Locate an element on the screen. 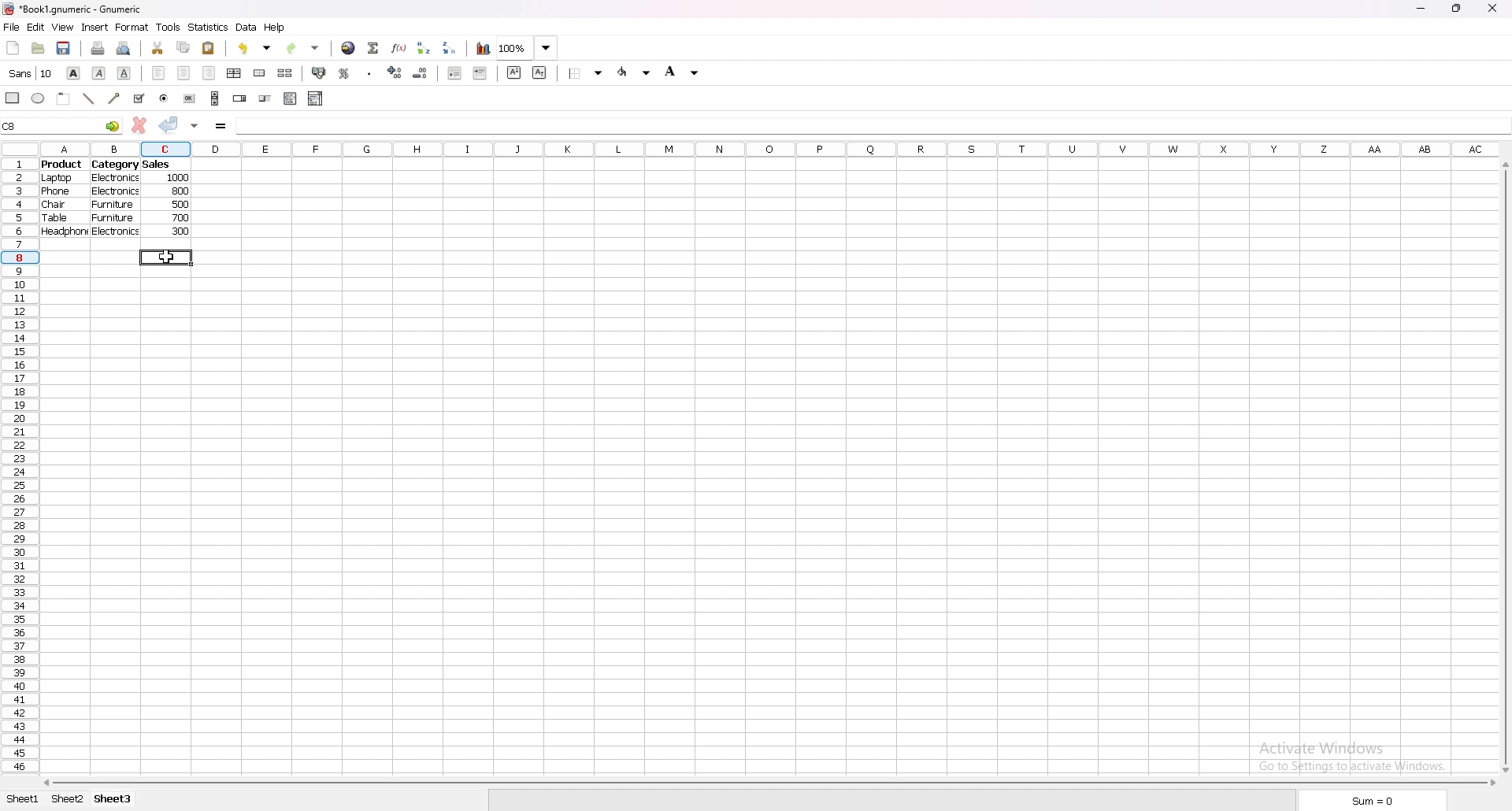  button is located at coordinates (189, 98).